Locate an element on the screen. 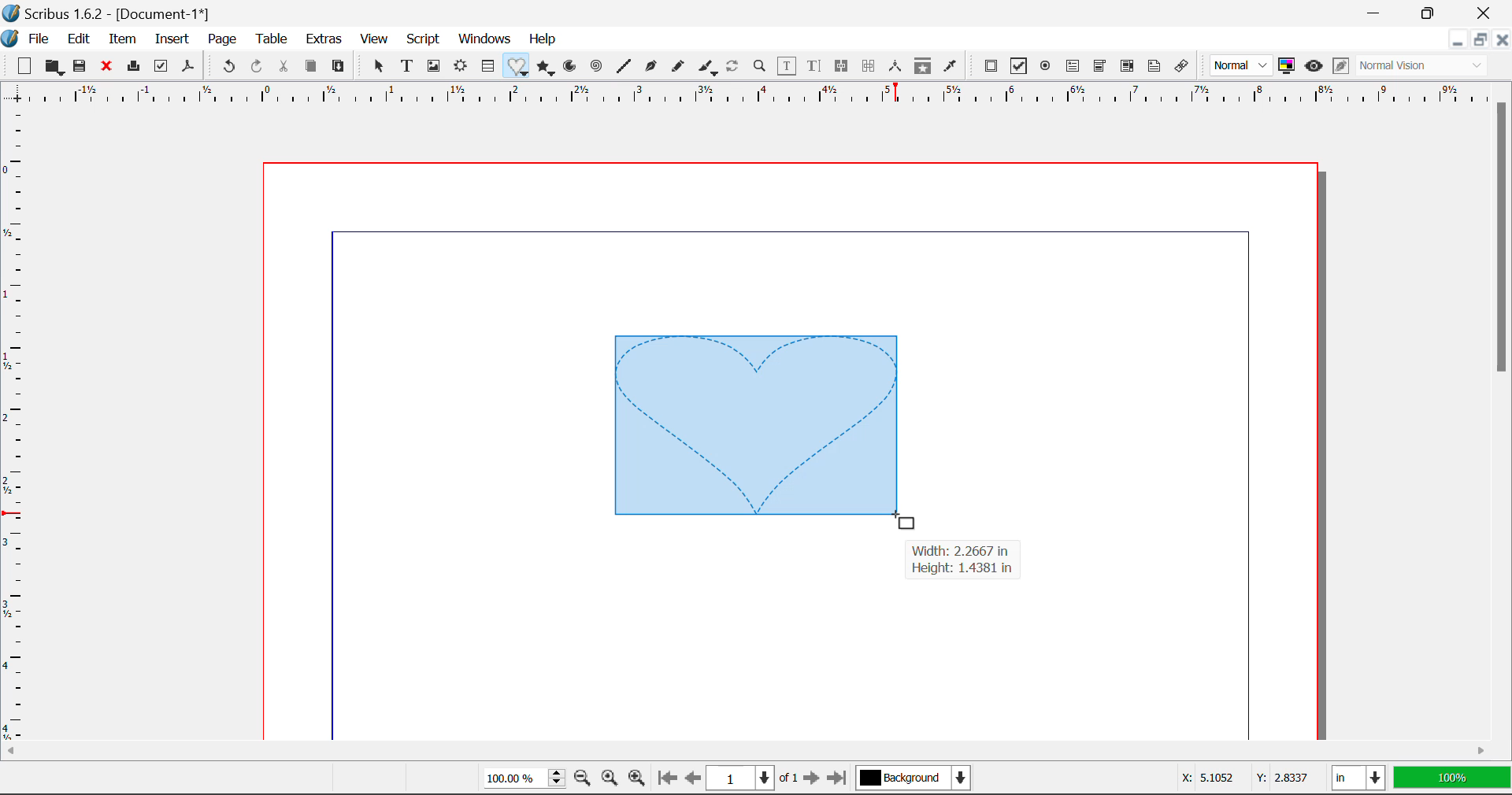 Image resolution: width=1512 pixels, height=795 pixels. in is located at coordinates (1358, 778).